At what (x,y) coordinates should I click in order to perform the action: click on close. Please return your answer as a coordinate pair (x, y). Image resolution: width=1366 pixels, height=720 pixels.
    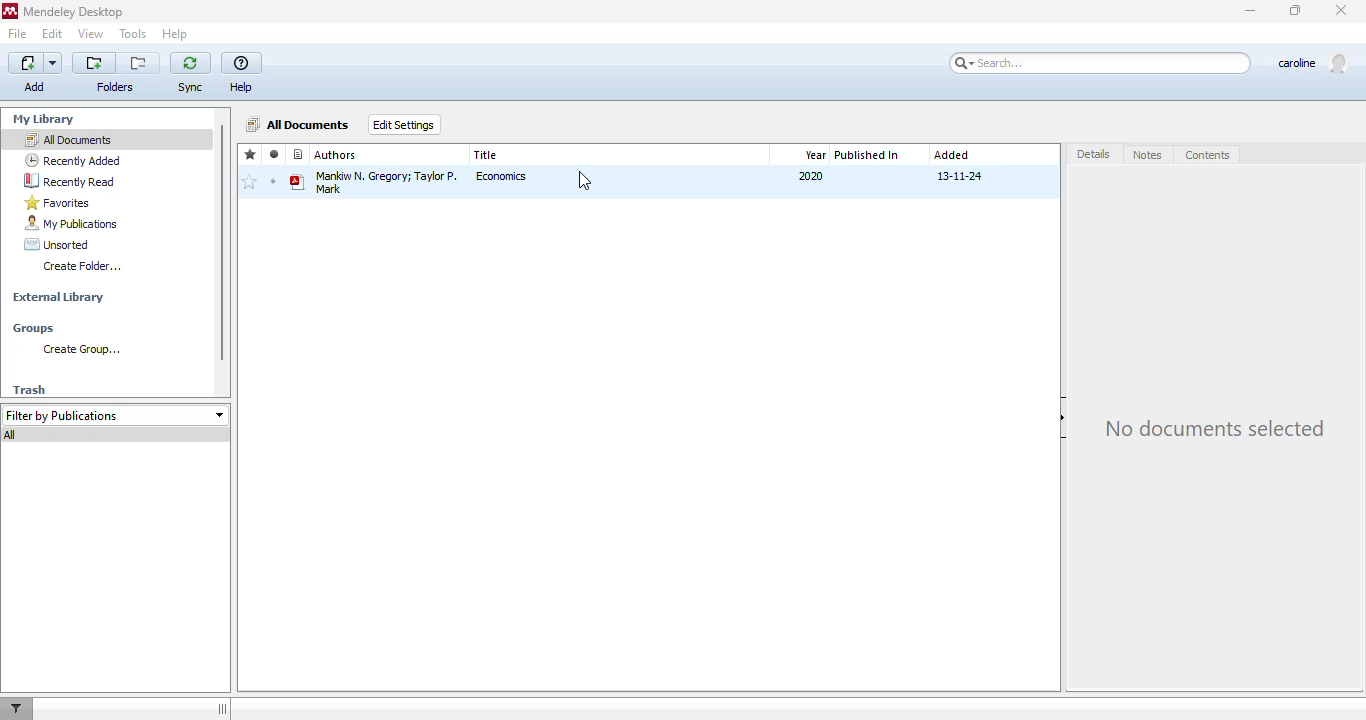
    Looking at the image, I should click on (1341, 11).